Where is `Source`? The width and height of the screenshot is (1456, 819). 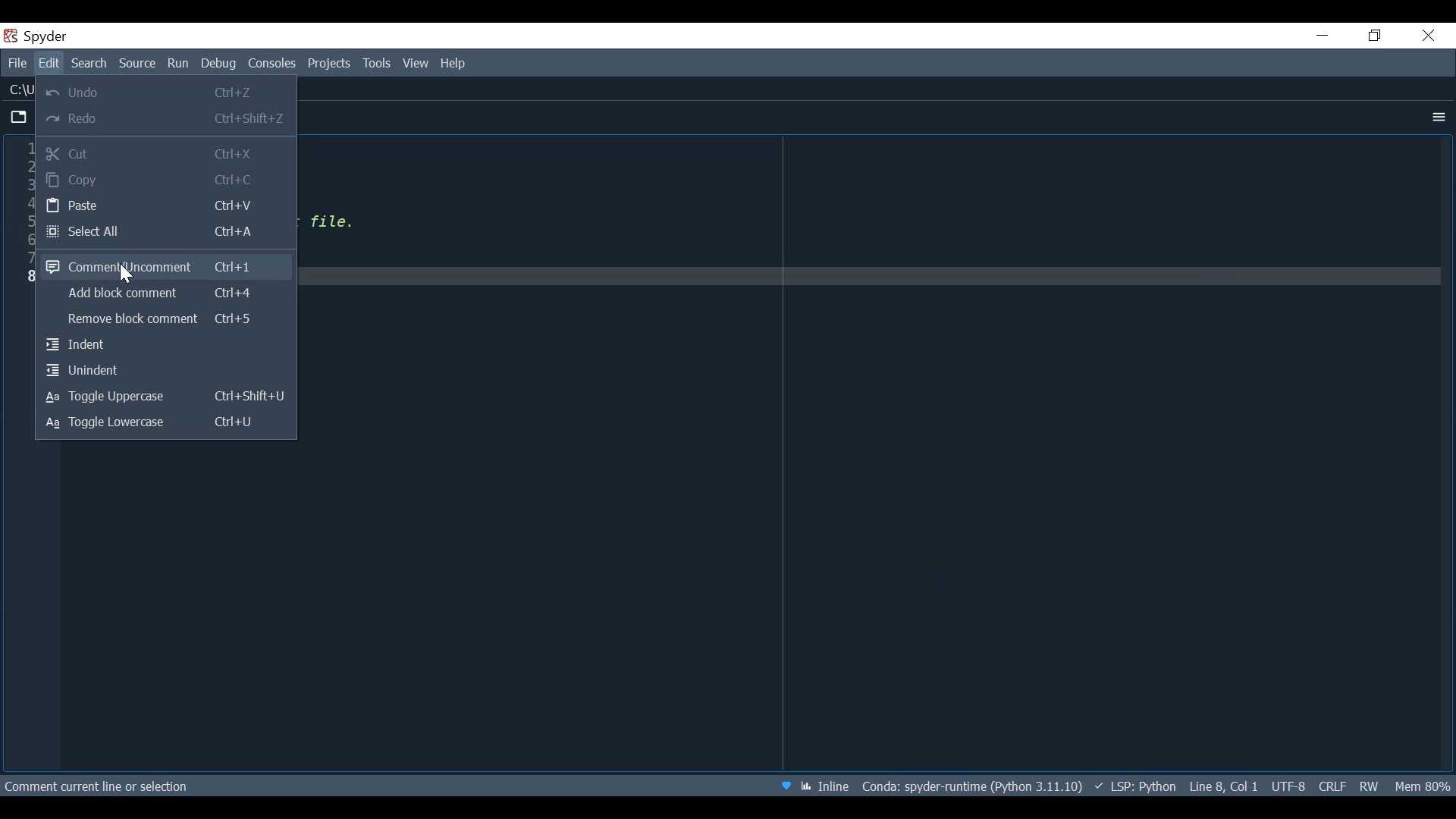 Source is located at coordinates (139, 64).